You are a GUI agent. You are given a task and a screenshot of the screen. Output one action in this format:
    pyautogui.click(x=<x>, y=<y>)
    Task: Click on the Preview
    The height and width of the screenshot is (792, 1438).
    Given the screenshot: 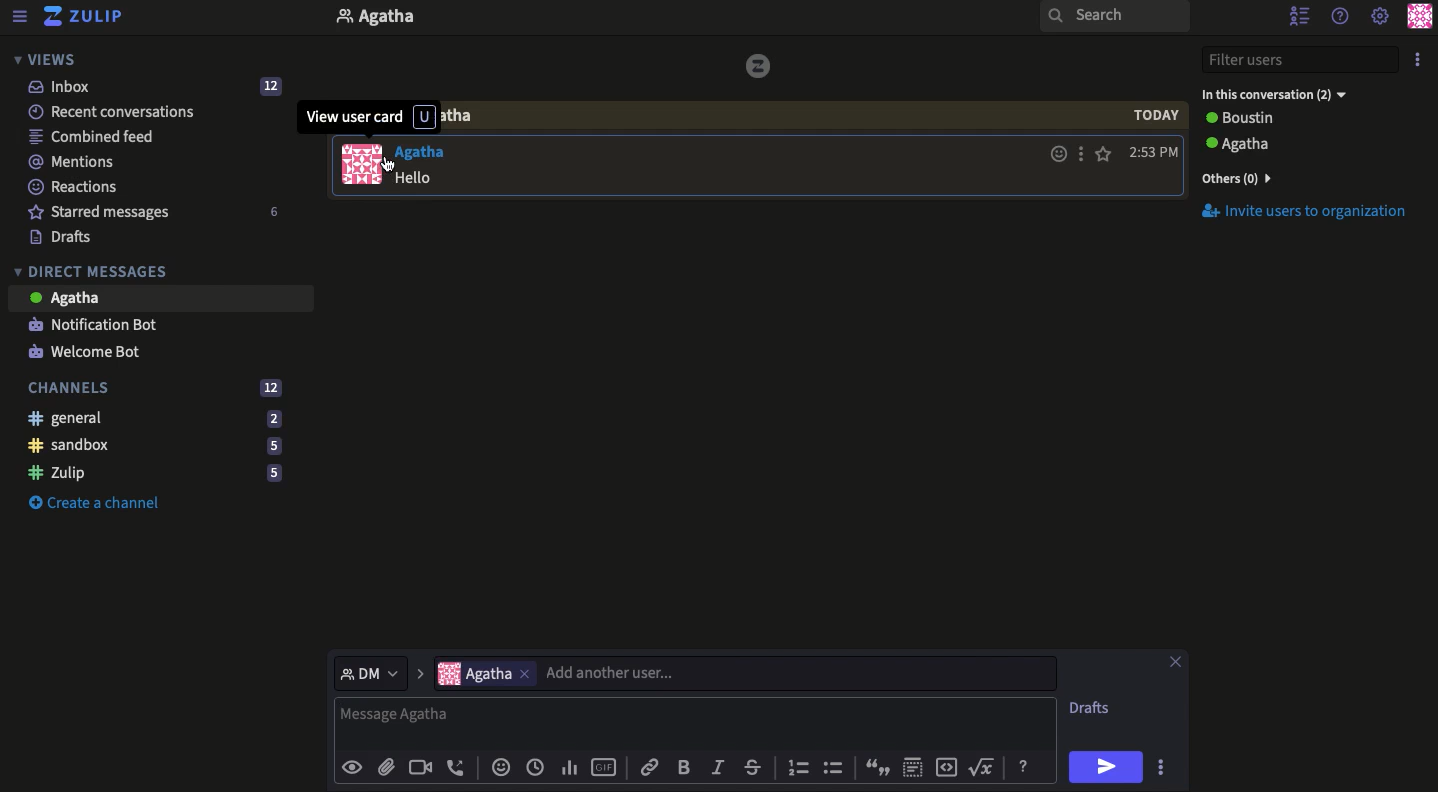 What is the action you would take?
    pyautogui.click(x=350, y=765)
    